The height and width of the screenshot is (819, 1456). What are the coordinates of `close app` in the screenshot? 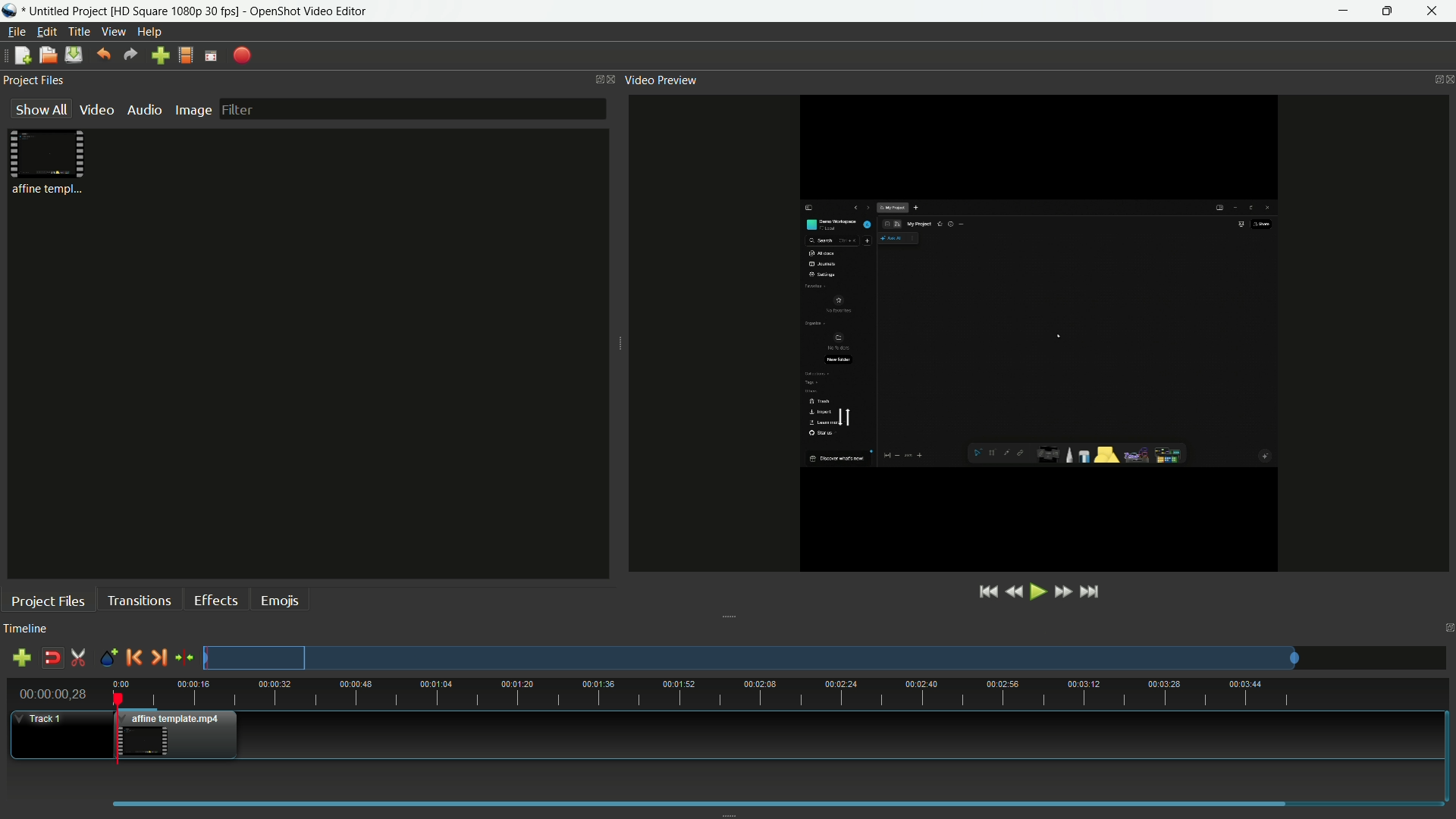 It's located at (1435, 11).